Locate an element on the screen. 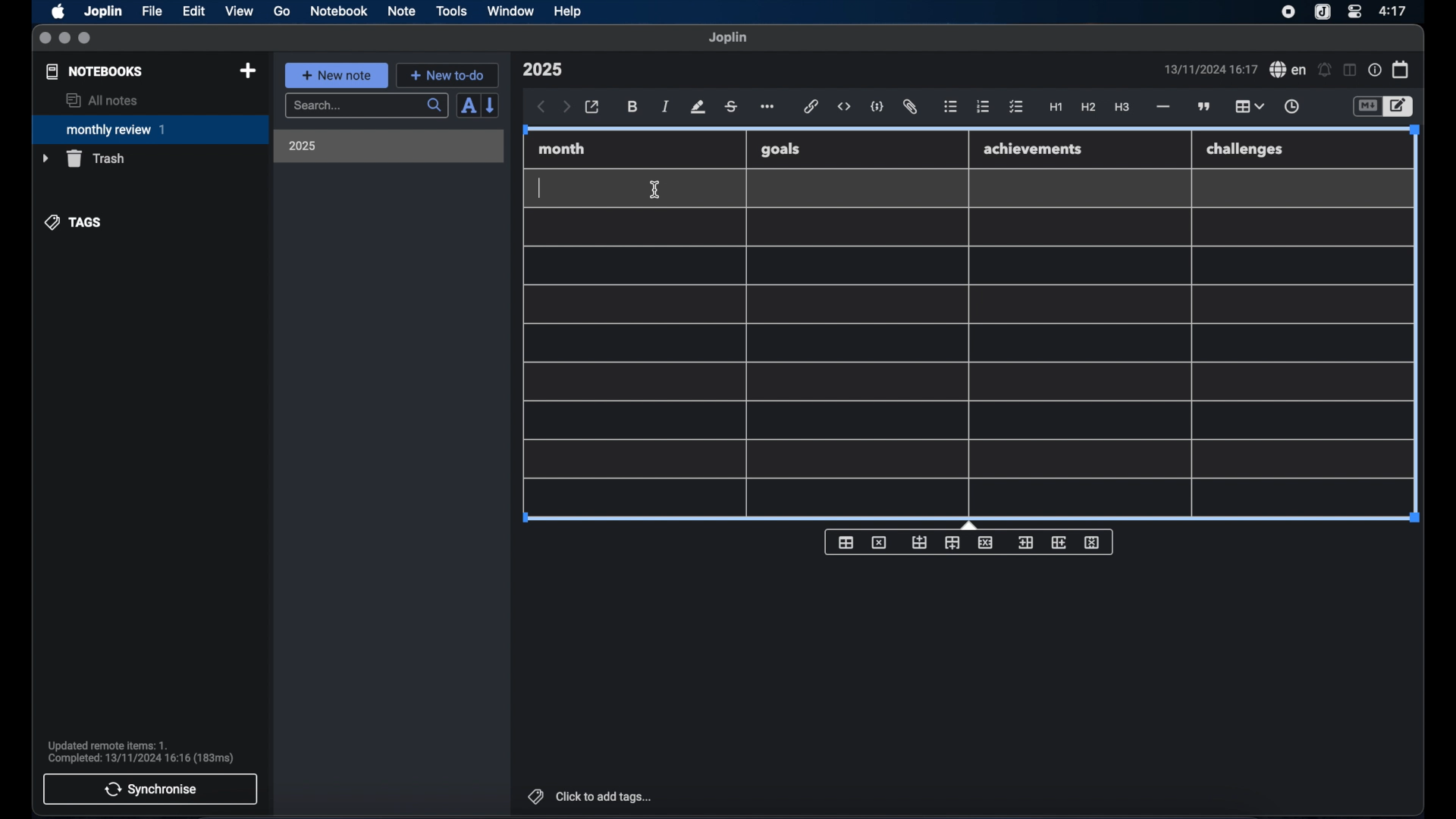 Image resolution: width=1456 pixels, height=819 pixels. highlight is located at coordinates (698, 107).